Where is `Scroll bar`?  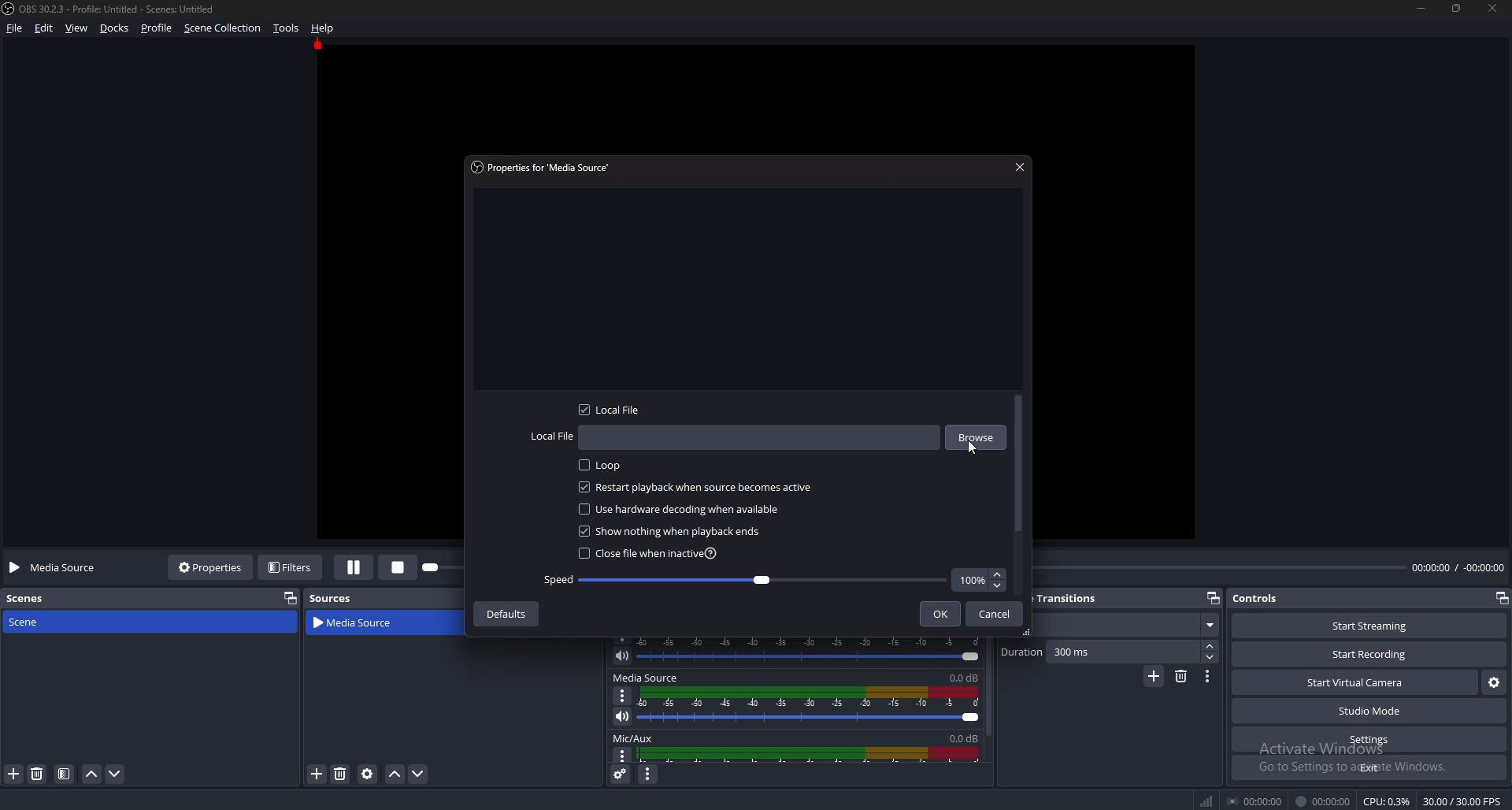 Scroll bar is located at coordinates (1019, 466).